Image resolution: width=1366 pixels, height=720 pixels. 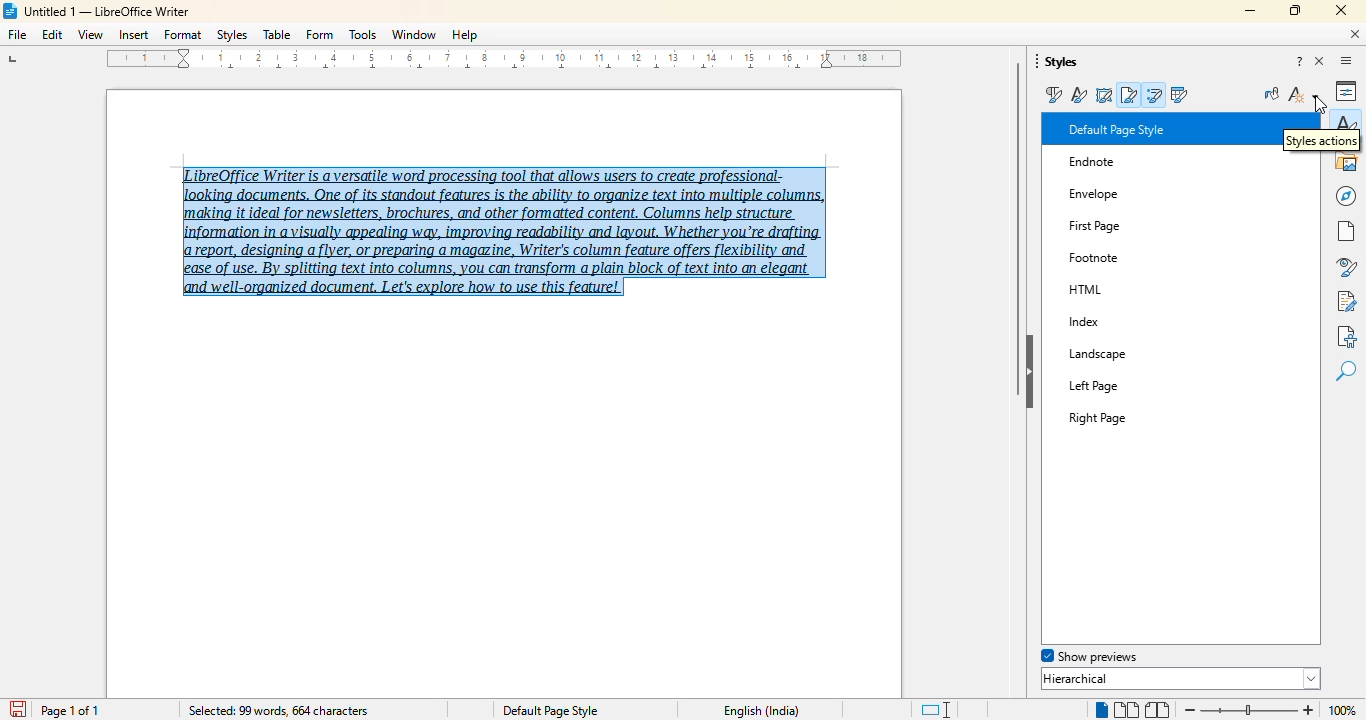 I want to click on page 1 of 1, so click(x=71, y=711).